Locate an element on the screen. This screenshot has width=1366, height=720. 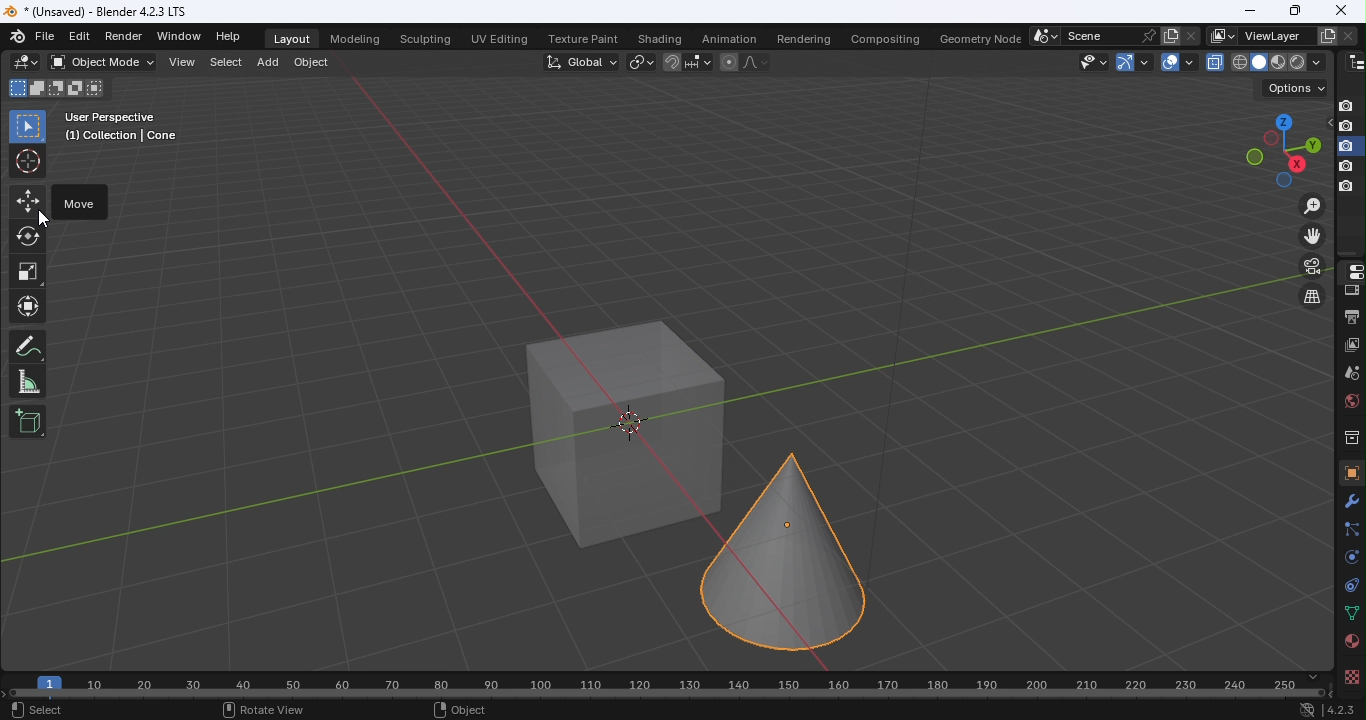
Rotate the view is located at coordinates (1281, 120).